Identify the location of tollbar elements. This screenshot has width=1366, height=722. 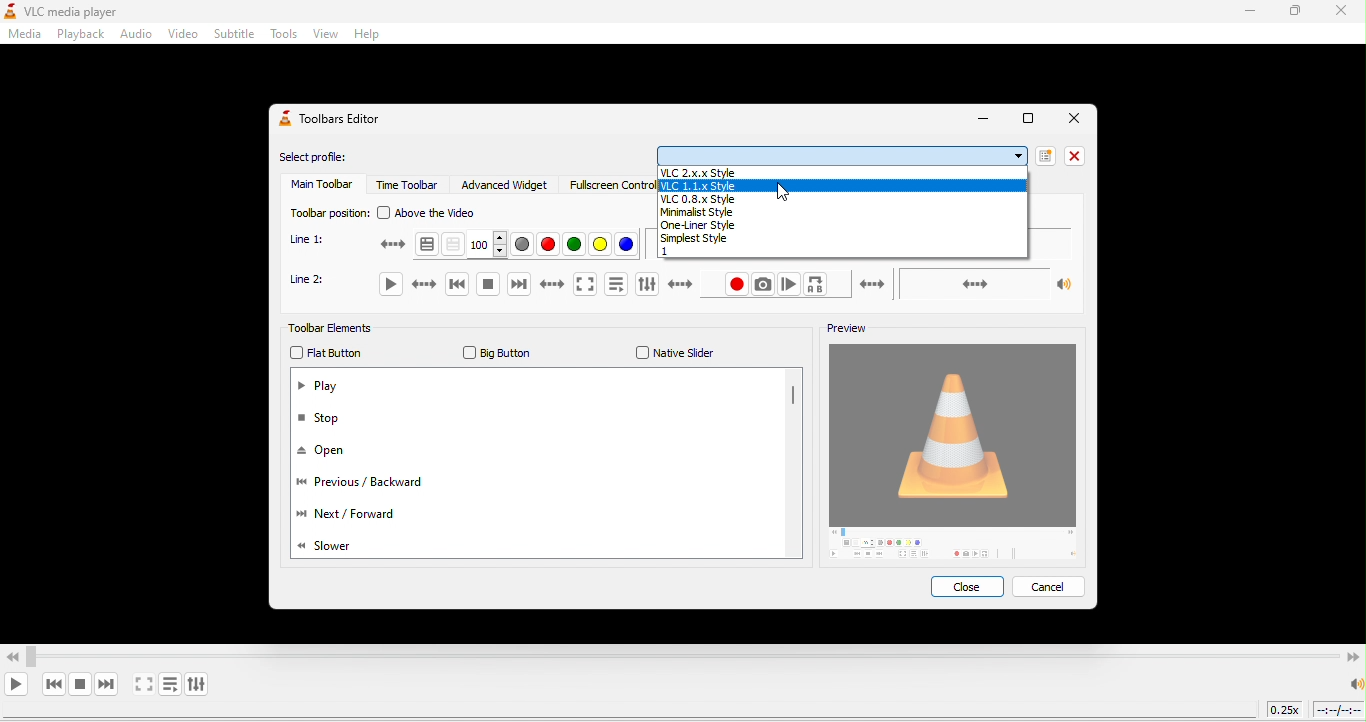
(342, 330).